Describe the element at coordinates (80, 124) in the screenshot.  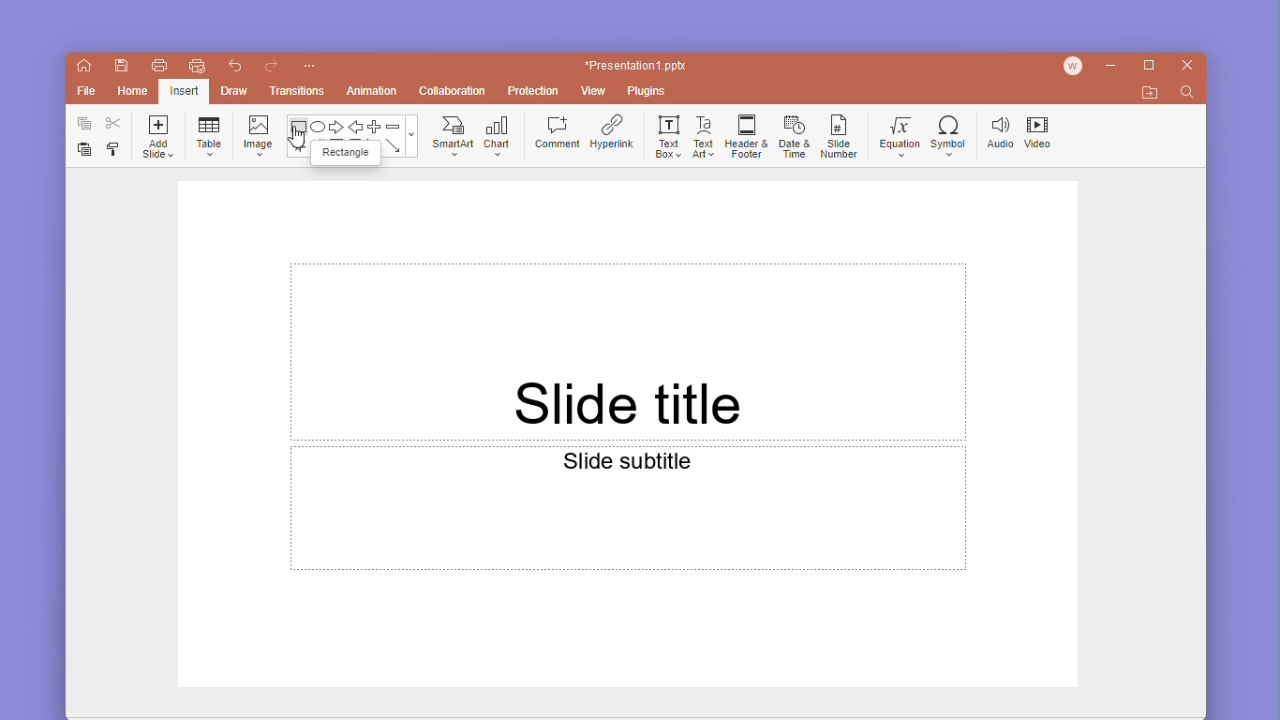
I see `copy` at that location.